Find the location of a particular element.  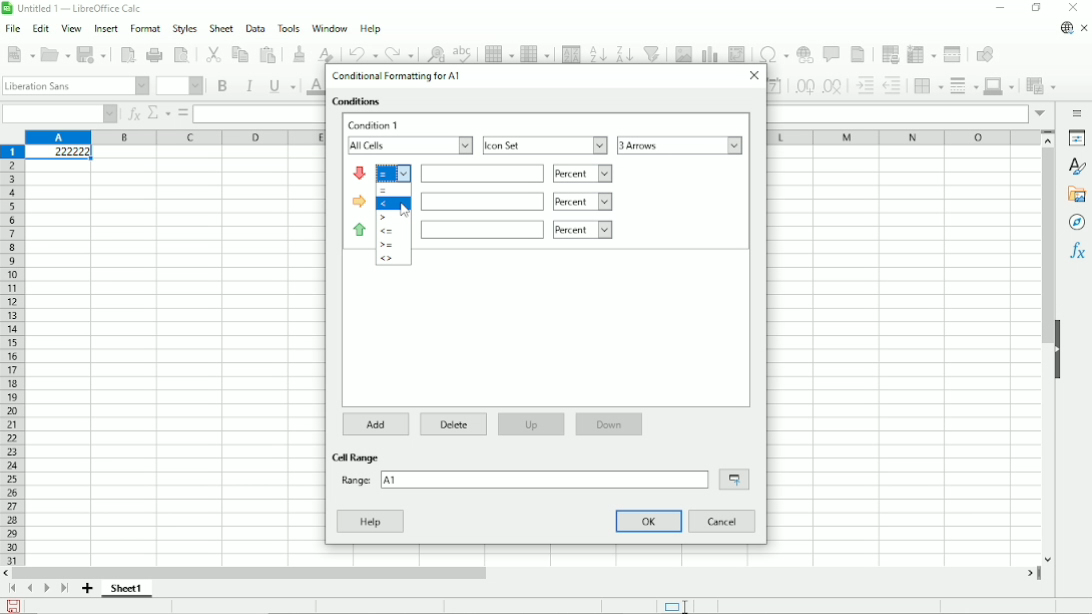

Find and replace is located at coordinates (436, 51).